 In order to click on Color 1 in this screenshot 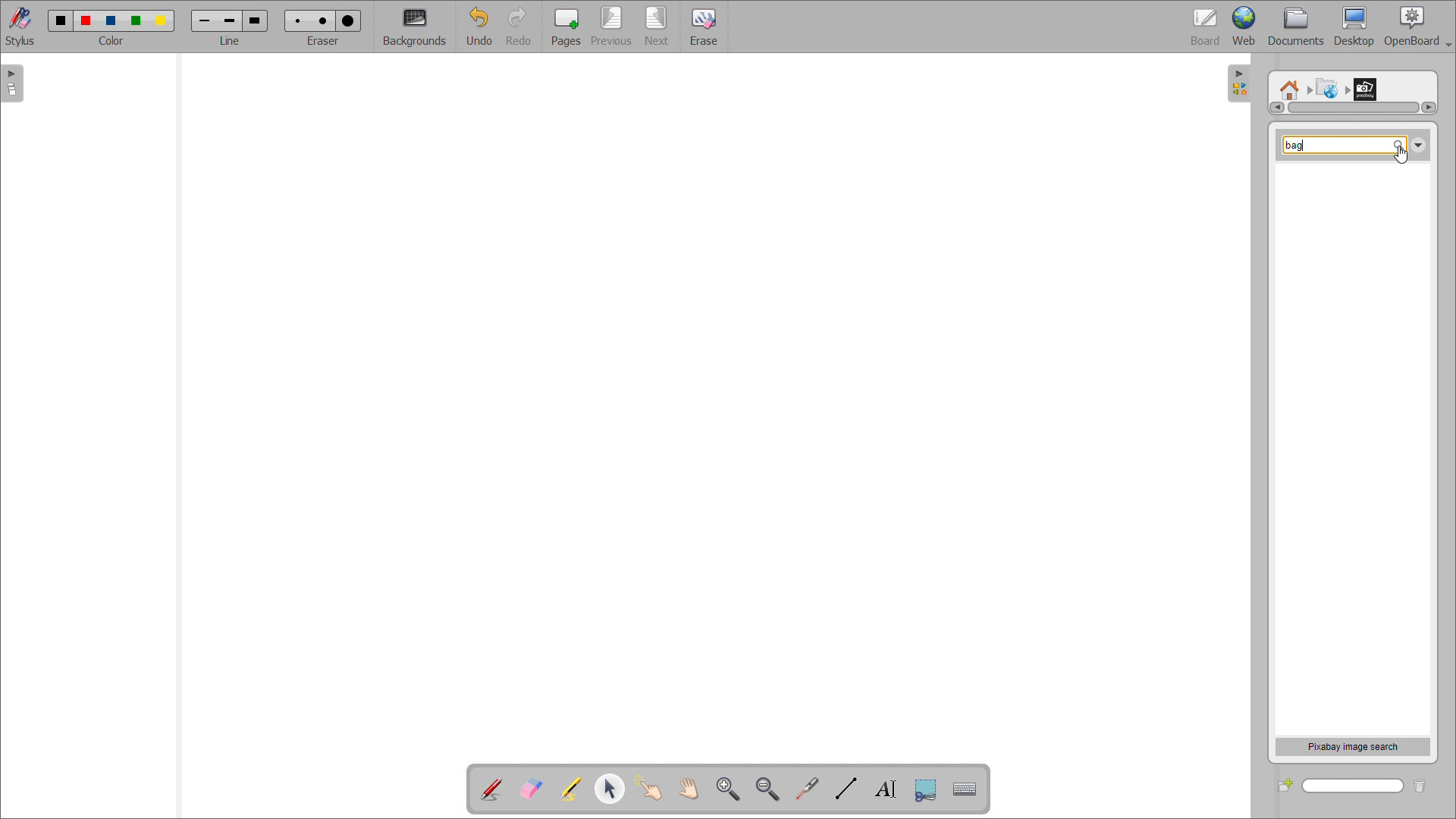, I will do `click(59, 20)`.